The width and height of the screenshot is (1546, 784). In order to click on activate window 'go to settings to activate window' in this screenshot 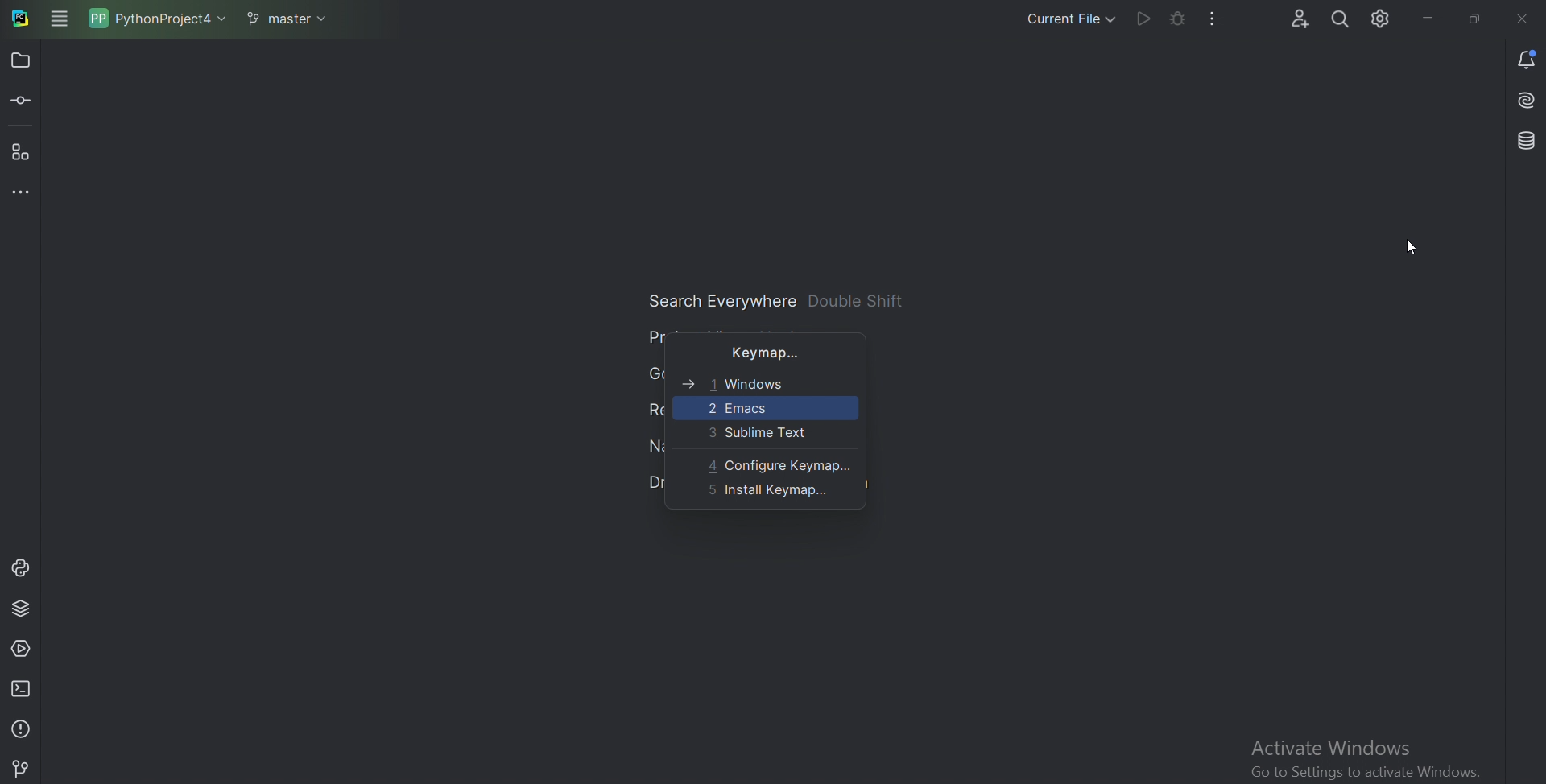, I will do `click(1365, 761)`.